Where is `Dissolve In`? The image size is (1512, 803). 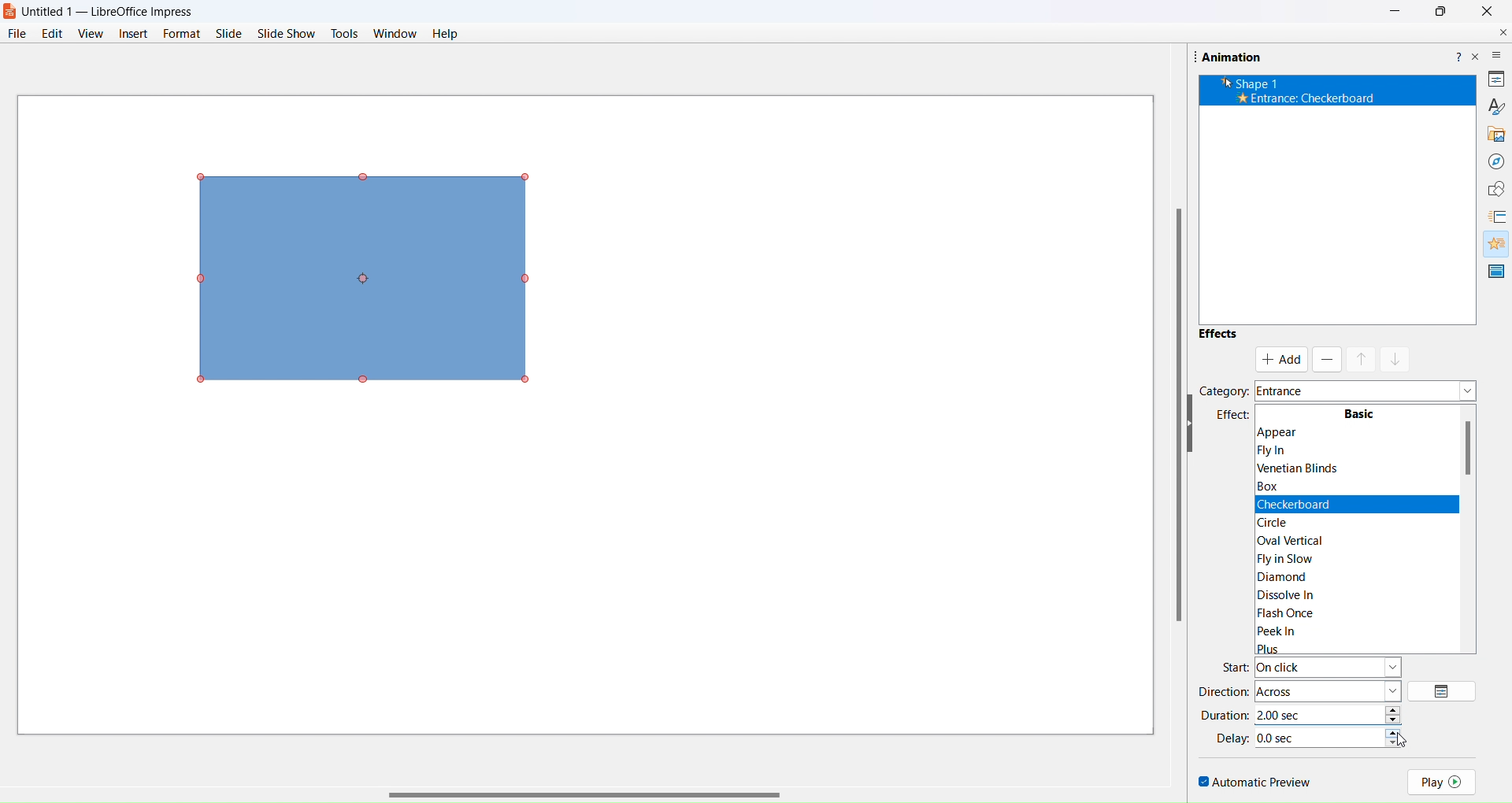
Dissolve In is located at coordinates (1296, 593).